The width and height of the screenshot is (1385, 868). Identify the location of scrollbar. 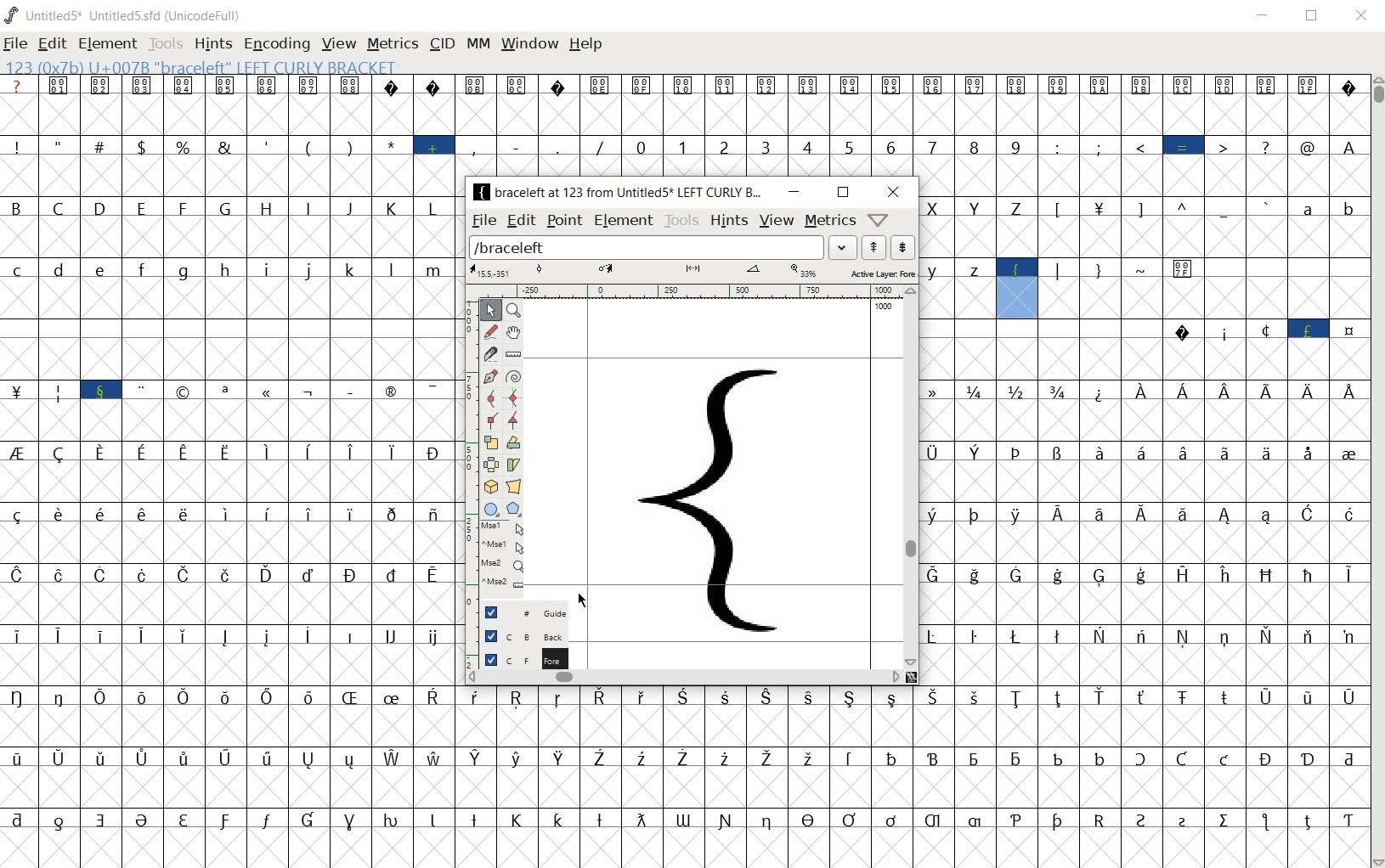
(913, 476).